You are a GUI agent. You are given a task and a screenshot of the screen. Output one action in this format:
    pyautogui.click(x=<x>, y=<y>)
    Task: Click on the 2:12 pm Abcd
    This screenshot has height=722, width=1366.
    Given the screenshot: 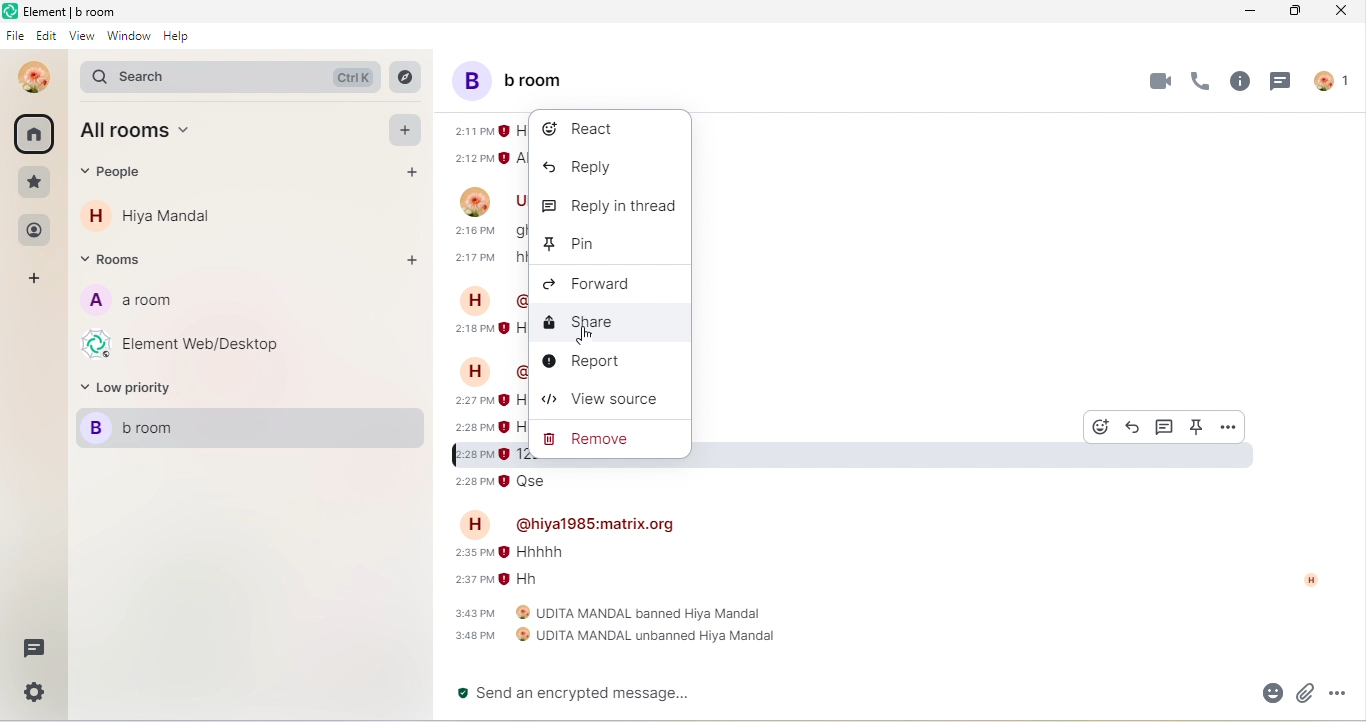 What is the action you would take?
    pyautogui.click(x=489, y=158)
    